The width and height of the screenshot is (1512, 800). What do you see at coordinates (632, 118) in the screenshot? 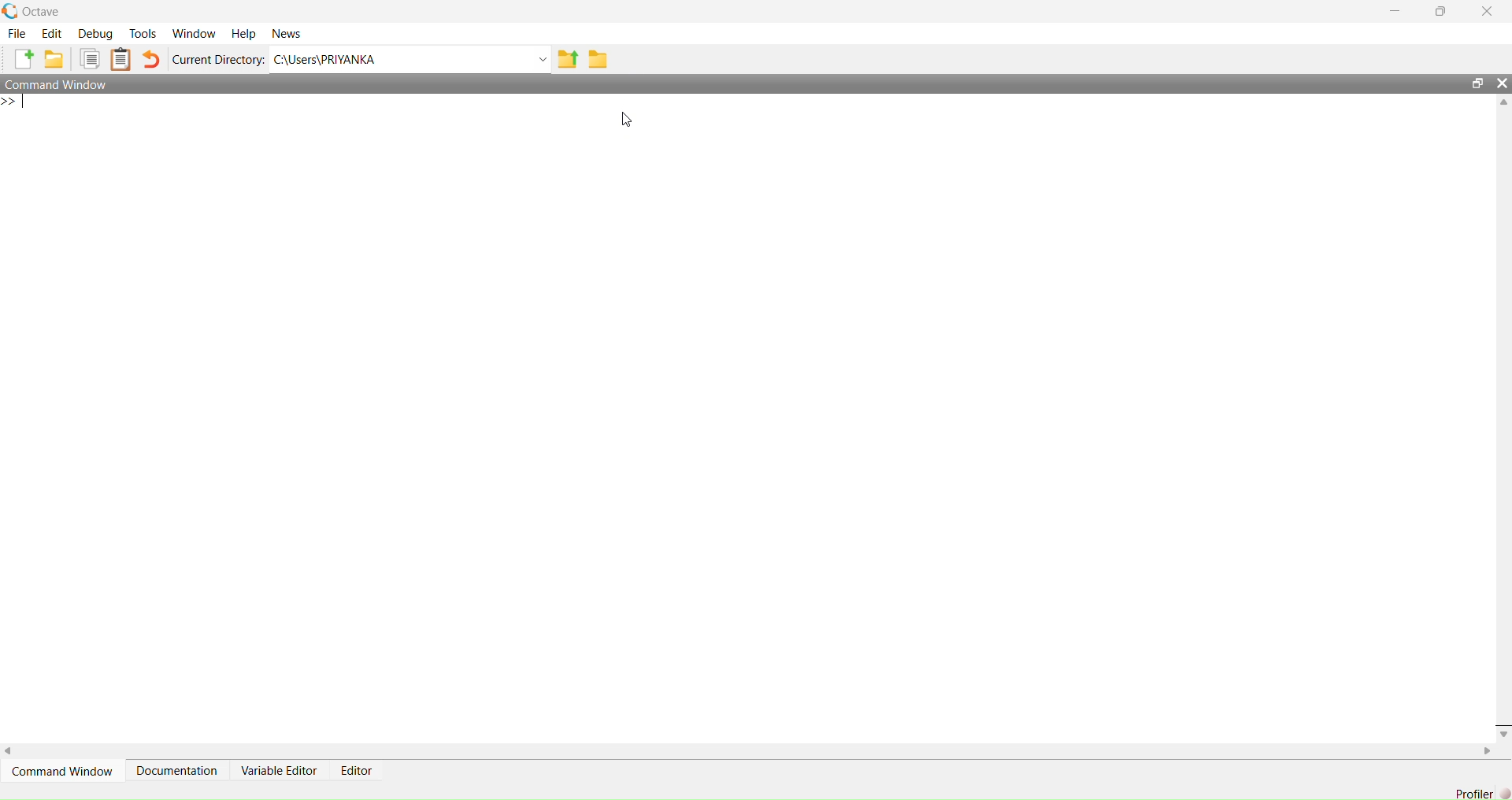
I see `Cursor` at bounding box center [632, 118].